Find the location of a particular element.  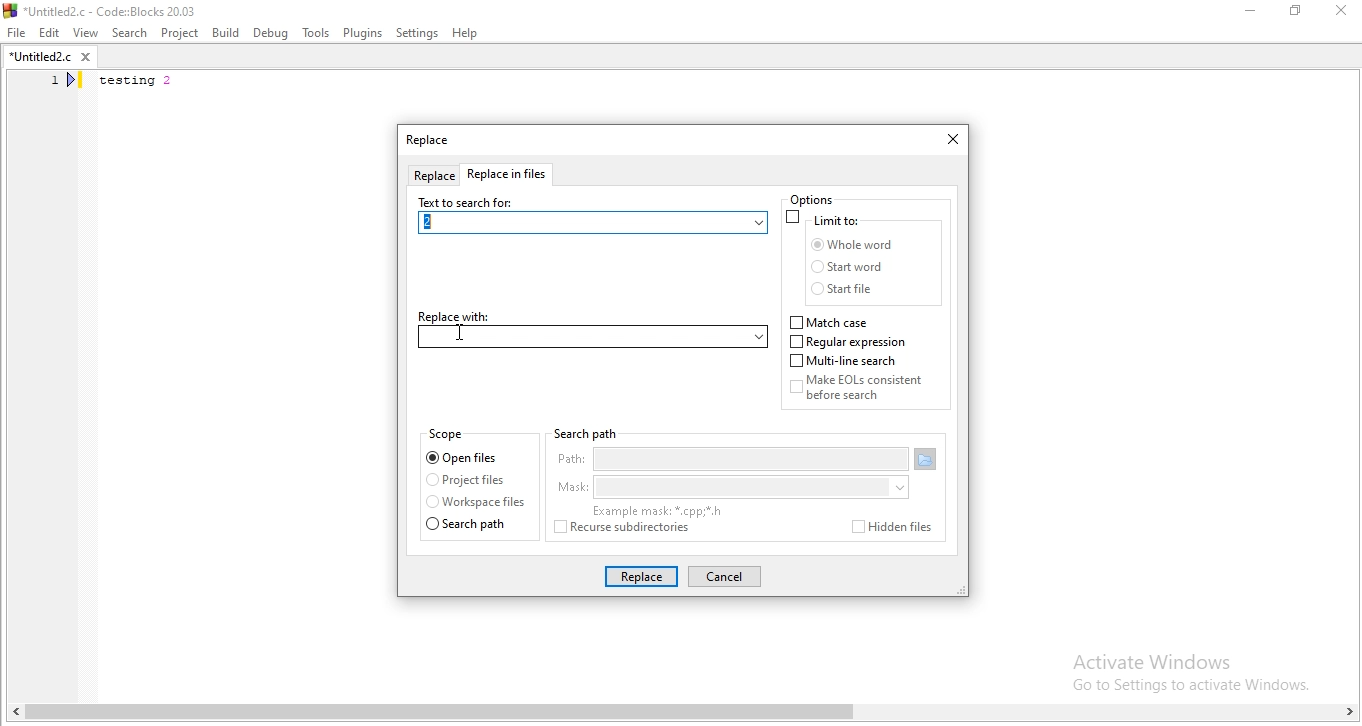

Tools  is located at coordinates (315, 34).